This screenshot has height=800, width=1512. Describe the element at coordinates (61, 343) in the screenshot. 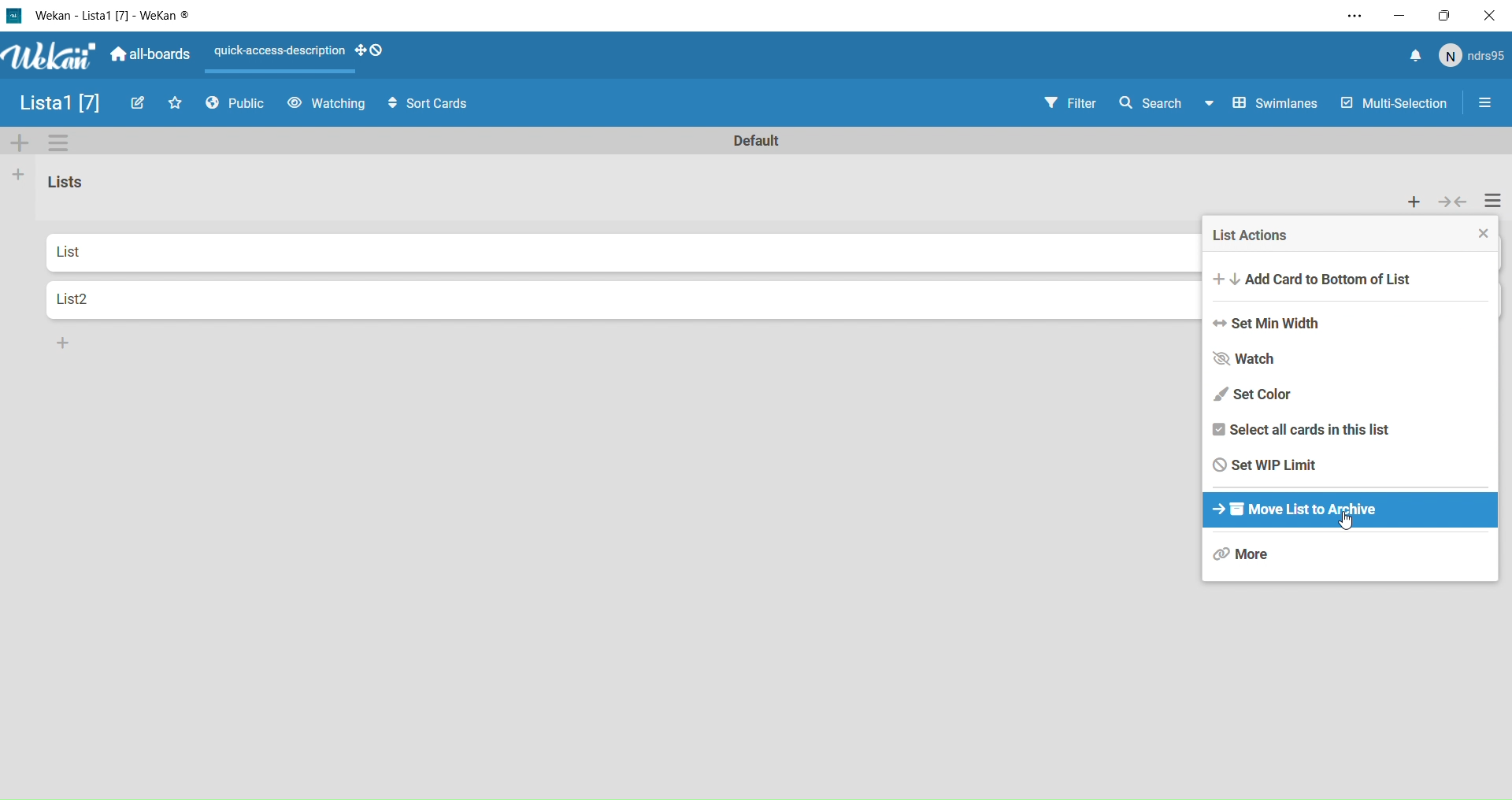

I see `Add` at that location.